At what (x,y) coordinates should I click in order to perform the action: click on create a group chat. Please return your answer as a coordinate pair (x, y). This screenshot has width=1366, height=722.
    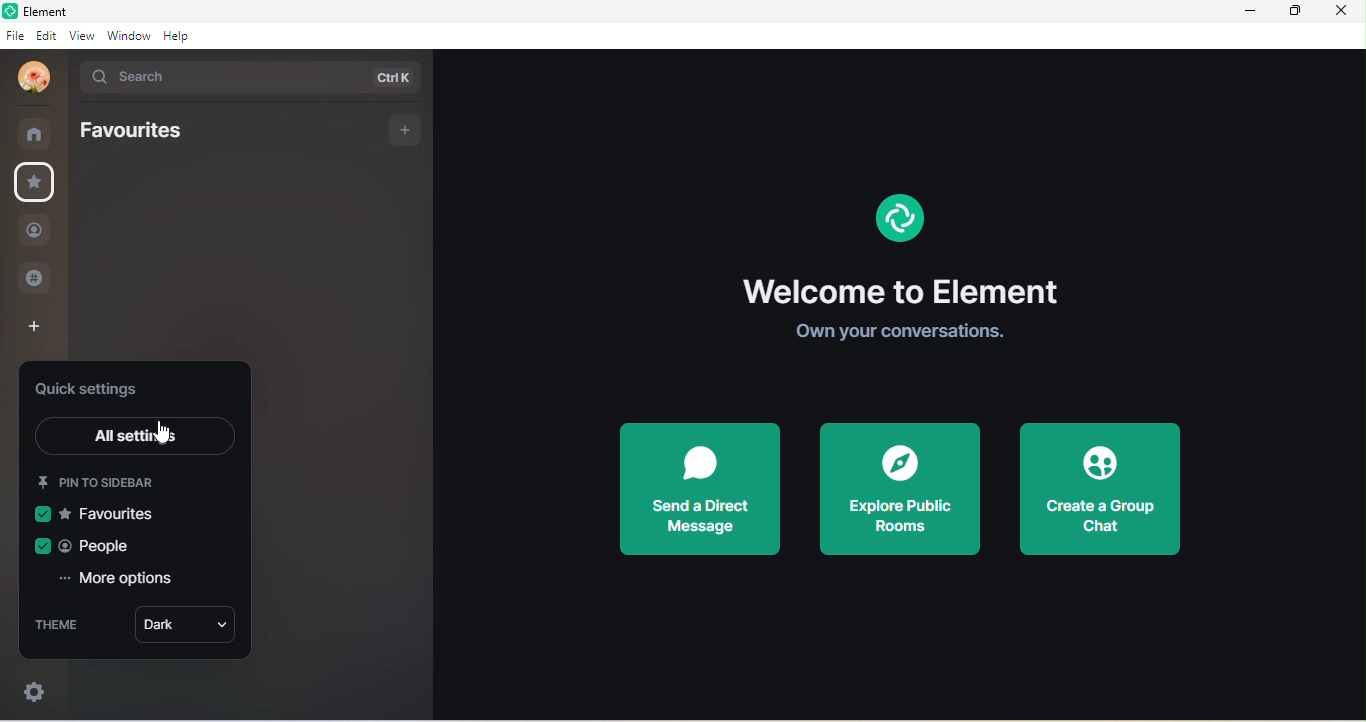
    Looking at the image, I should click on (1096, 490).